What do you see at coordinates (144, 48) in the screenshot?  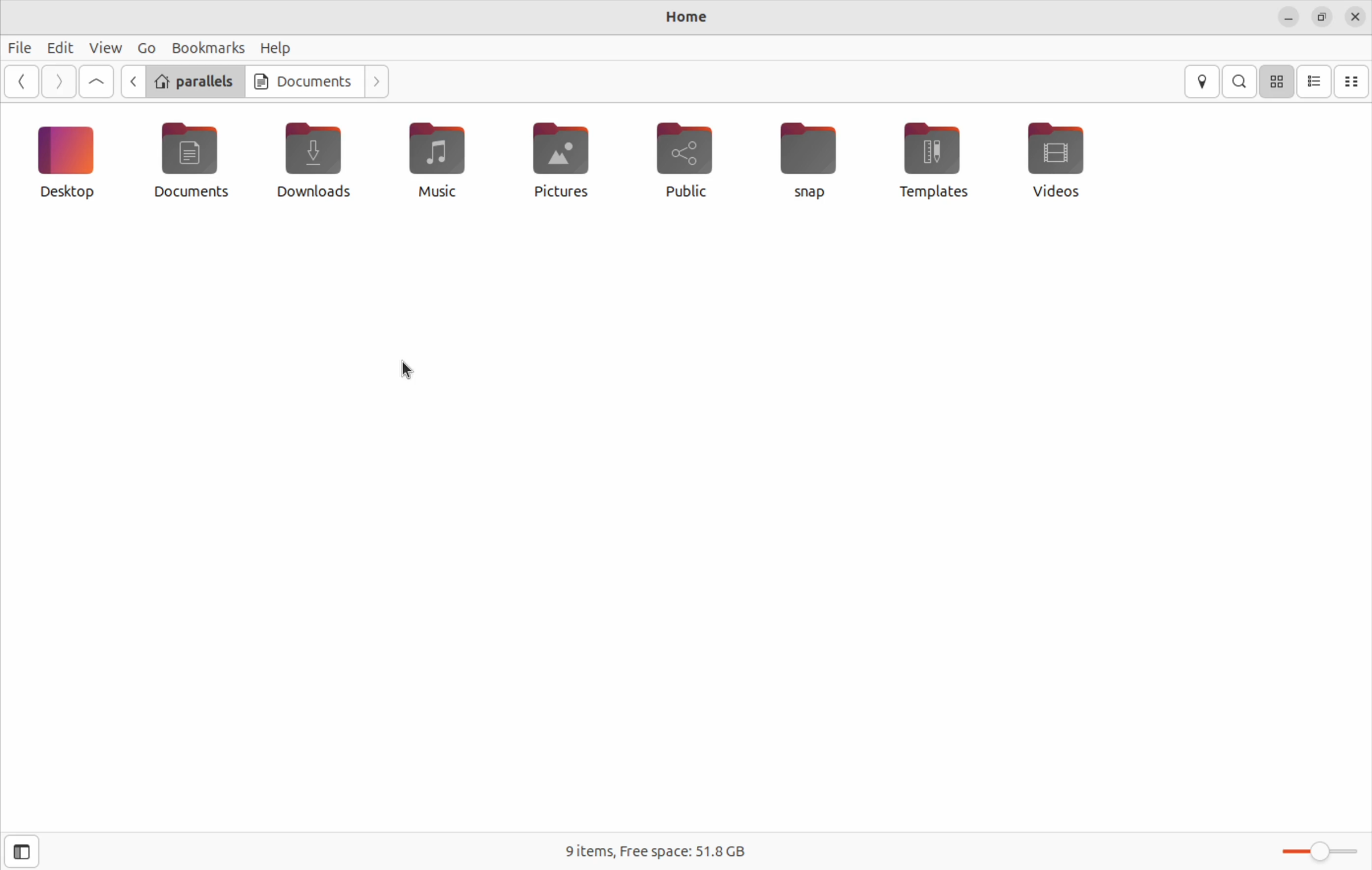 I see `Go` at bounding box center [144, 48].